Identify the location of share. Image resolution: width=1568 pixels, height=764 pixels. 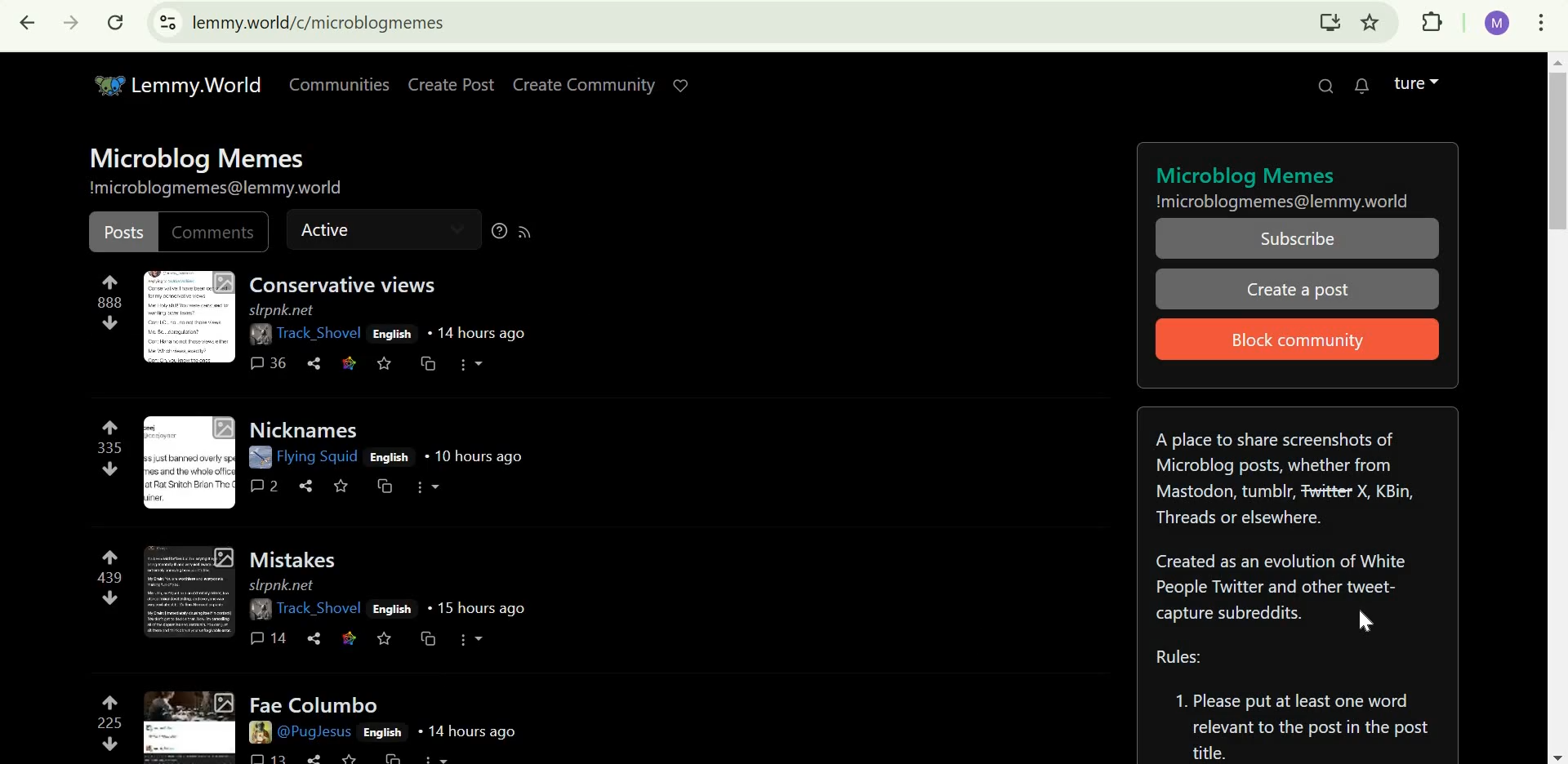
(315, 363).